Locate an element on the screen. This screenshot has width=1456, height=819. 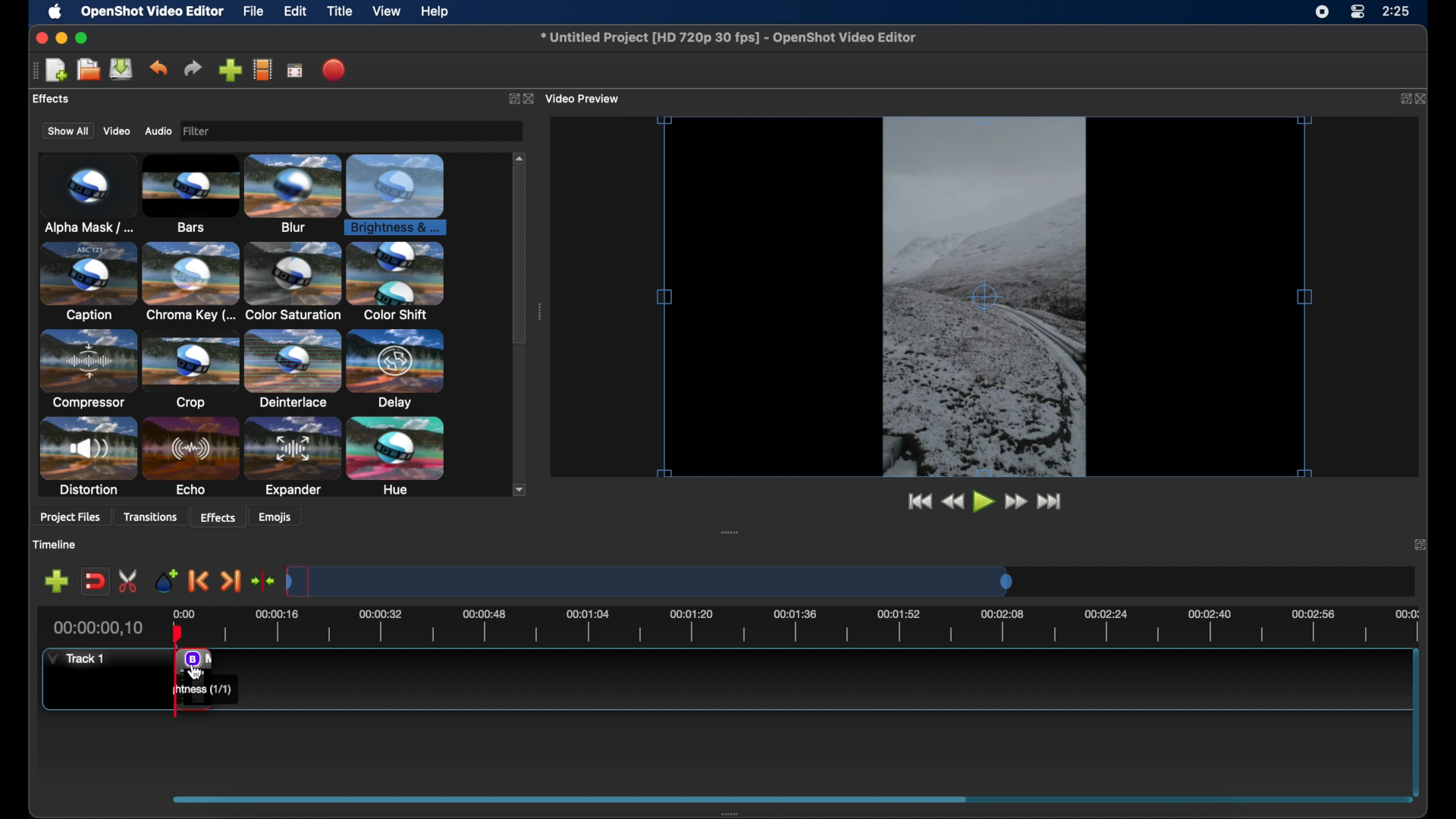
help is located at coordinates (437, 11).